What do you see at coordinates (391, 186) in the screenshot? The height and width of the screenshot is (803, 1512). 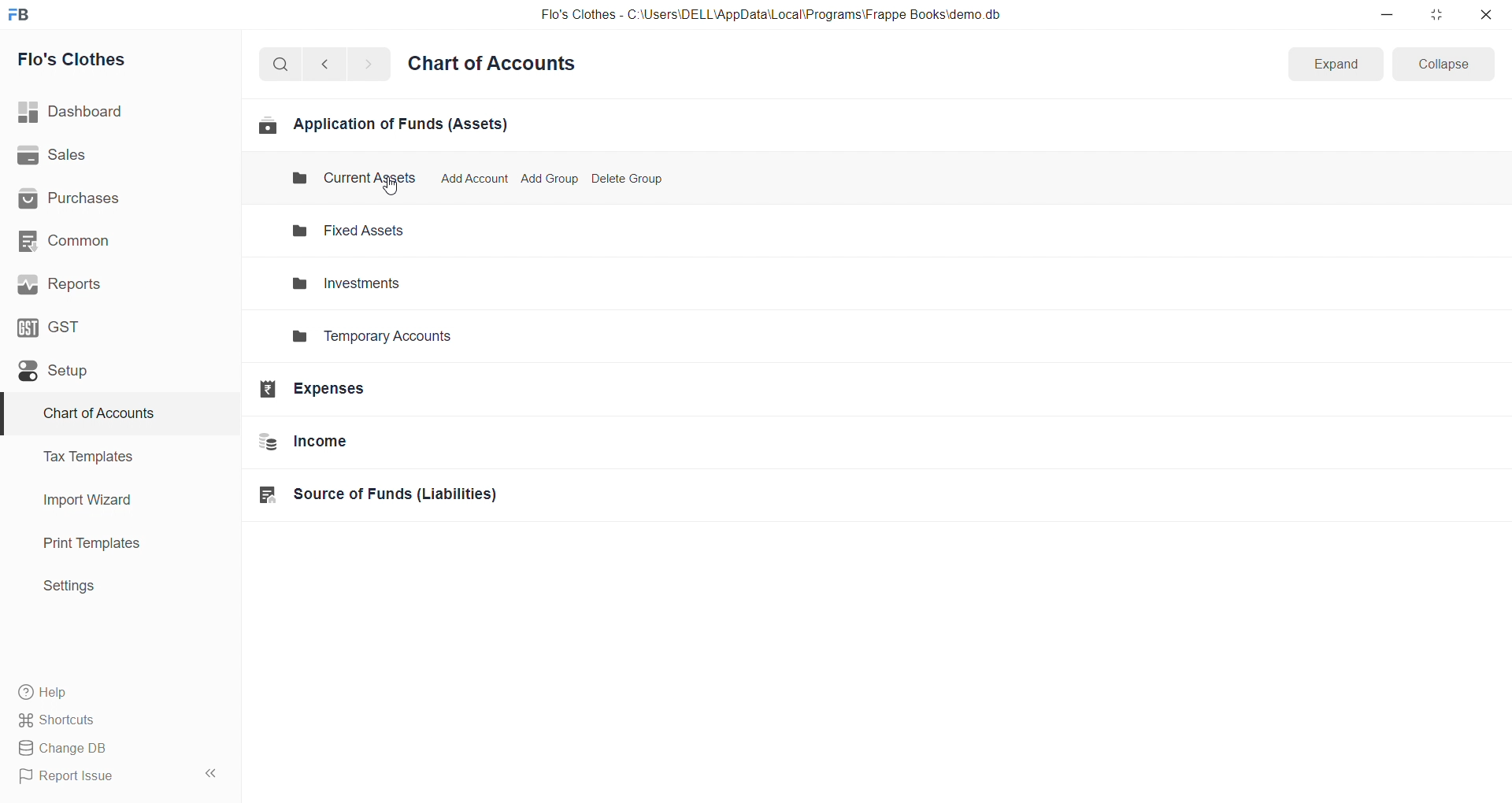 I see `cursor` at bounding box center [391, 186].